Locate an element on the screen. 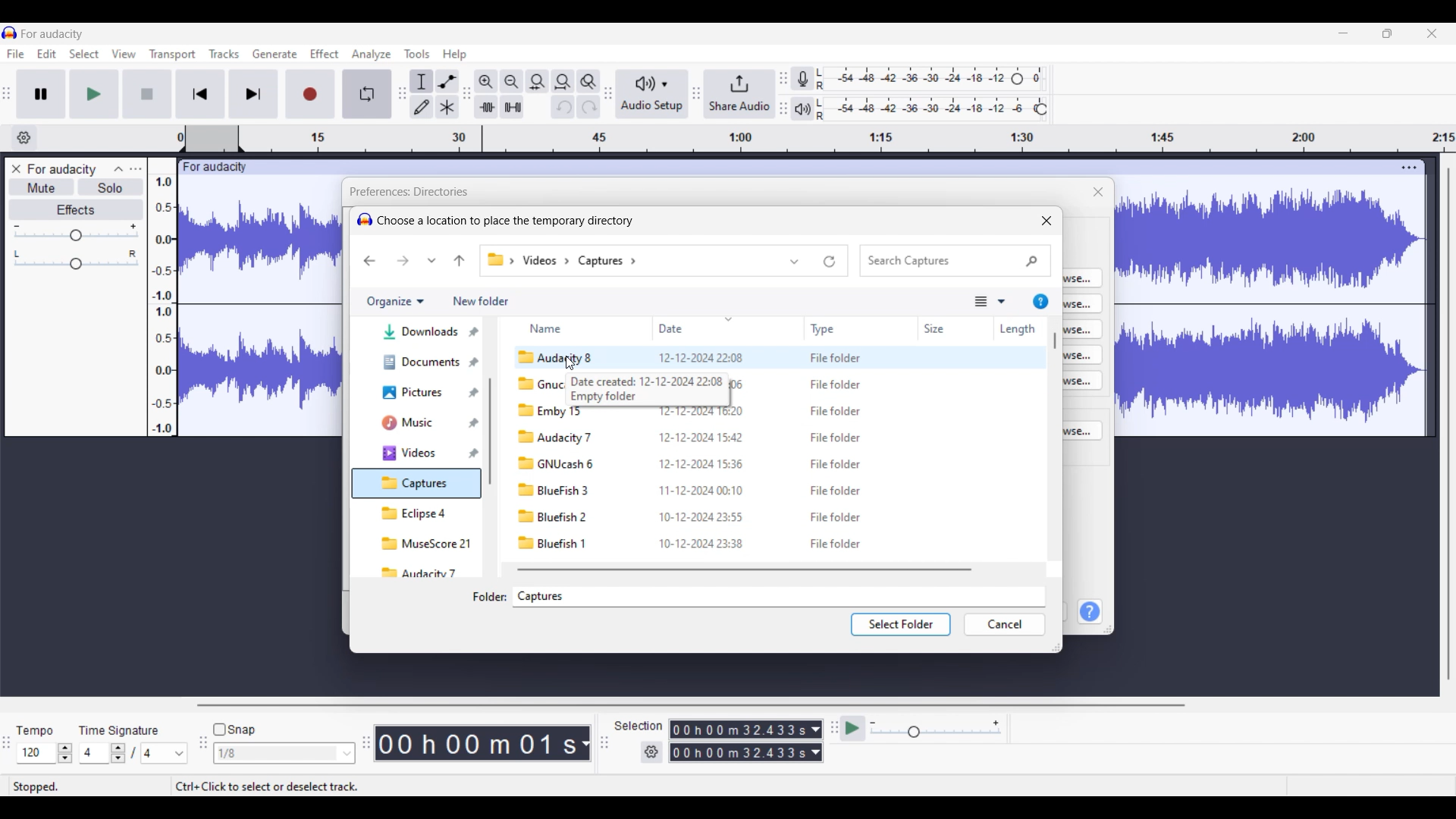 This screenshot has width=1456, height=819. Snap options is located at coordinates (284, 753).